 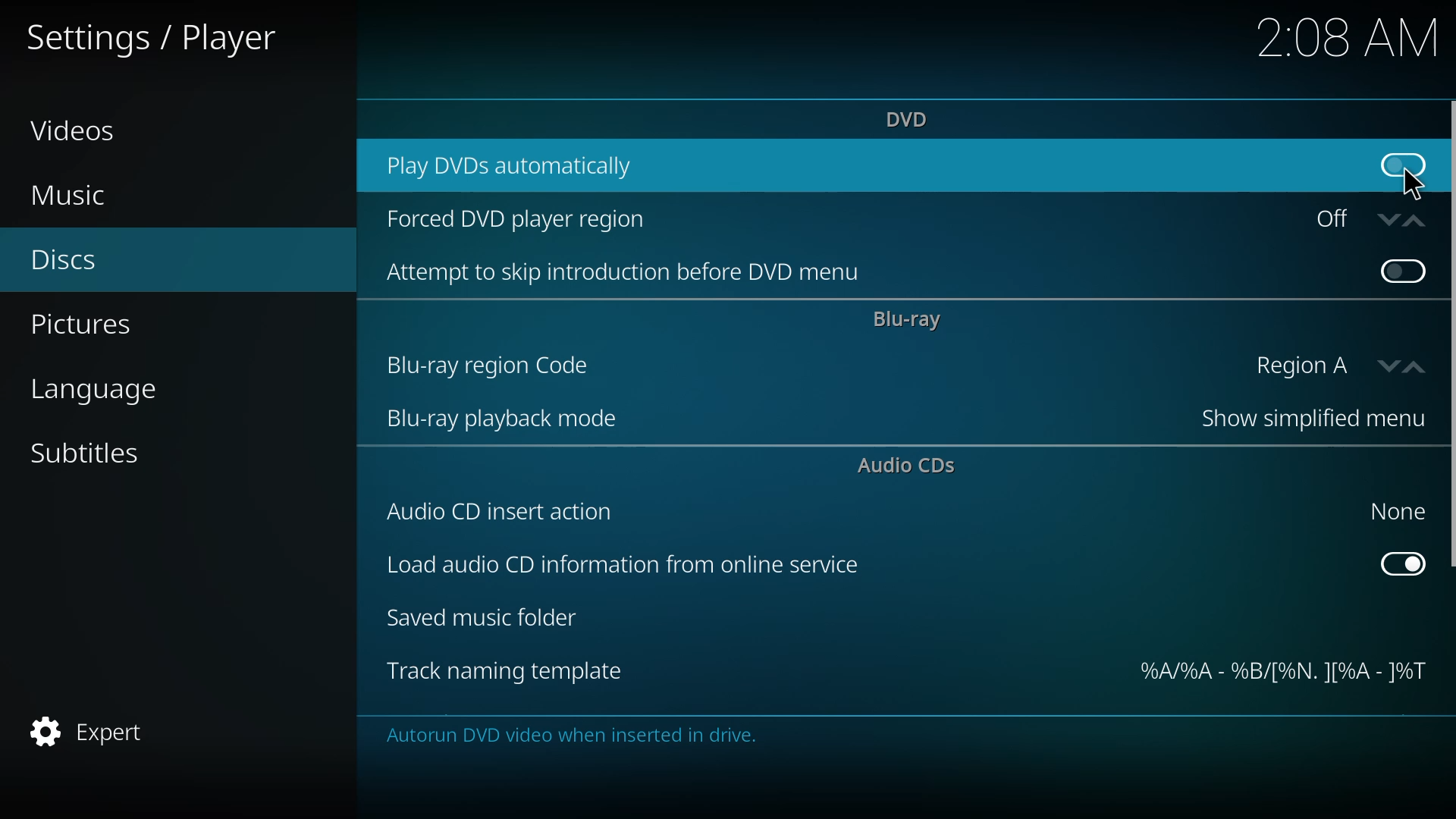 What do you see at coordinates (908, 320) in the screenshot?
I see `bluray` at bounding box center [908, 320].